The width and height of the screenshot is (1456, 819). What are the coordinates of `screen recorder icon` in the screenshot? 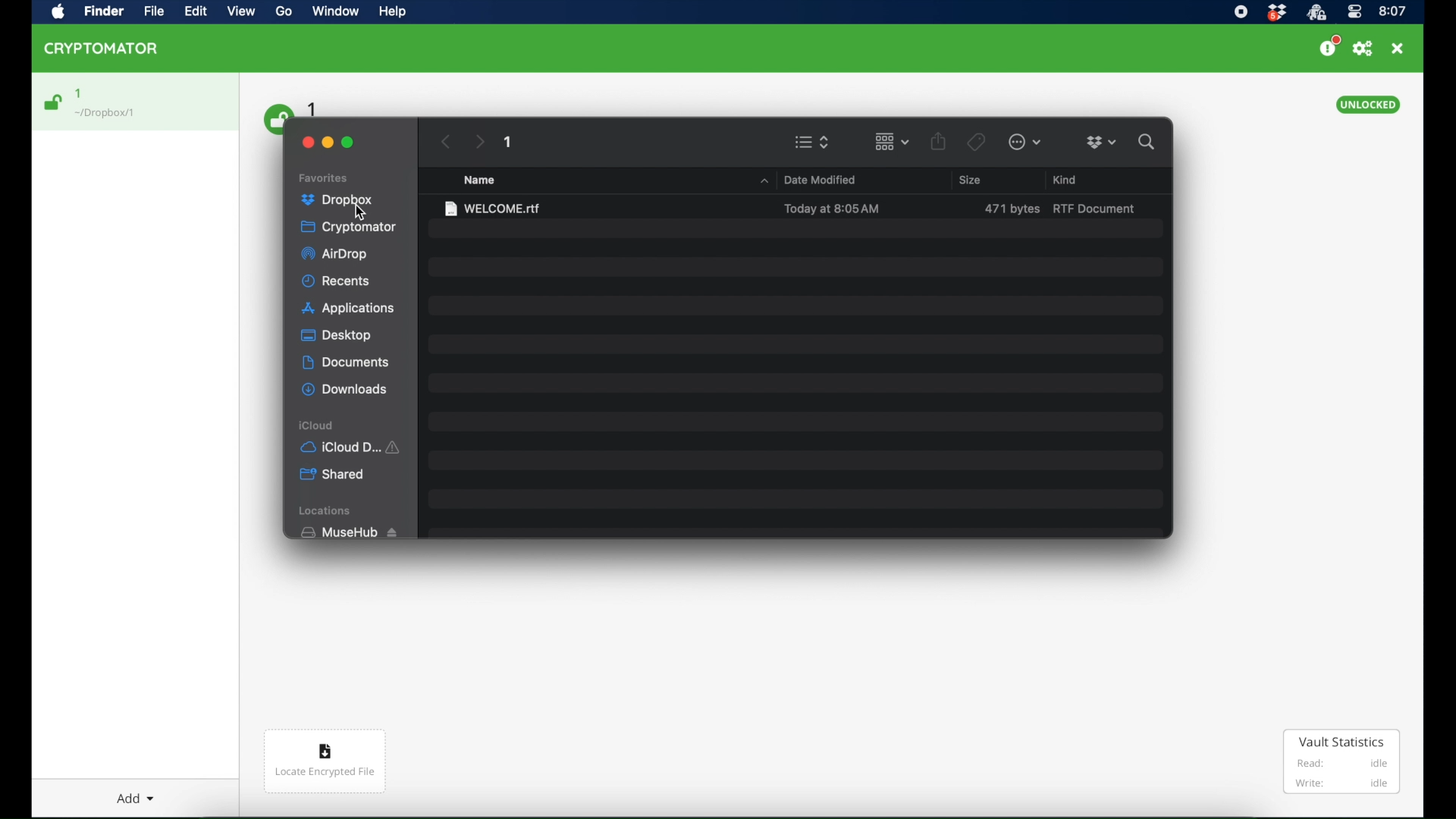 It's located at (1241, 11).